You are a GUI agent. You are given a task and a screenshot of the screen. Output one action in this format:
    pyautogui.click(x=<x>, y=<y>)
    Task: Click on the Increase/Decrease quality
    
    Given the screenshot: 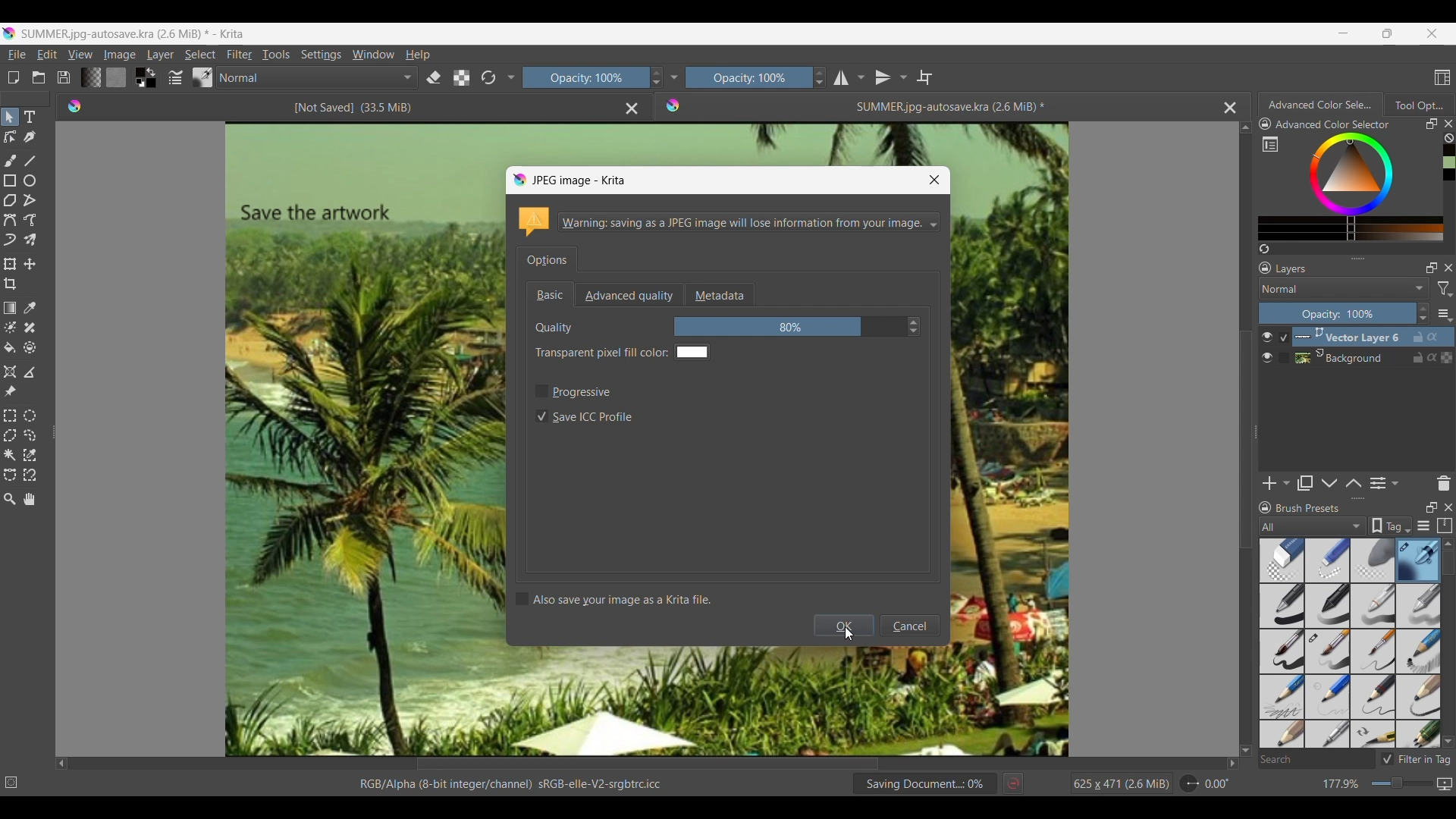 What is the action you would take?
    pyautogui.click(x=914, y=328)
    